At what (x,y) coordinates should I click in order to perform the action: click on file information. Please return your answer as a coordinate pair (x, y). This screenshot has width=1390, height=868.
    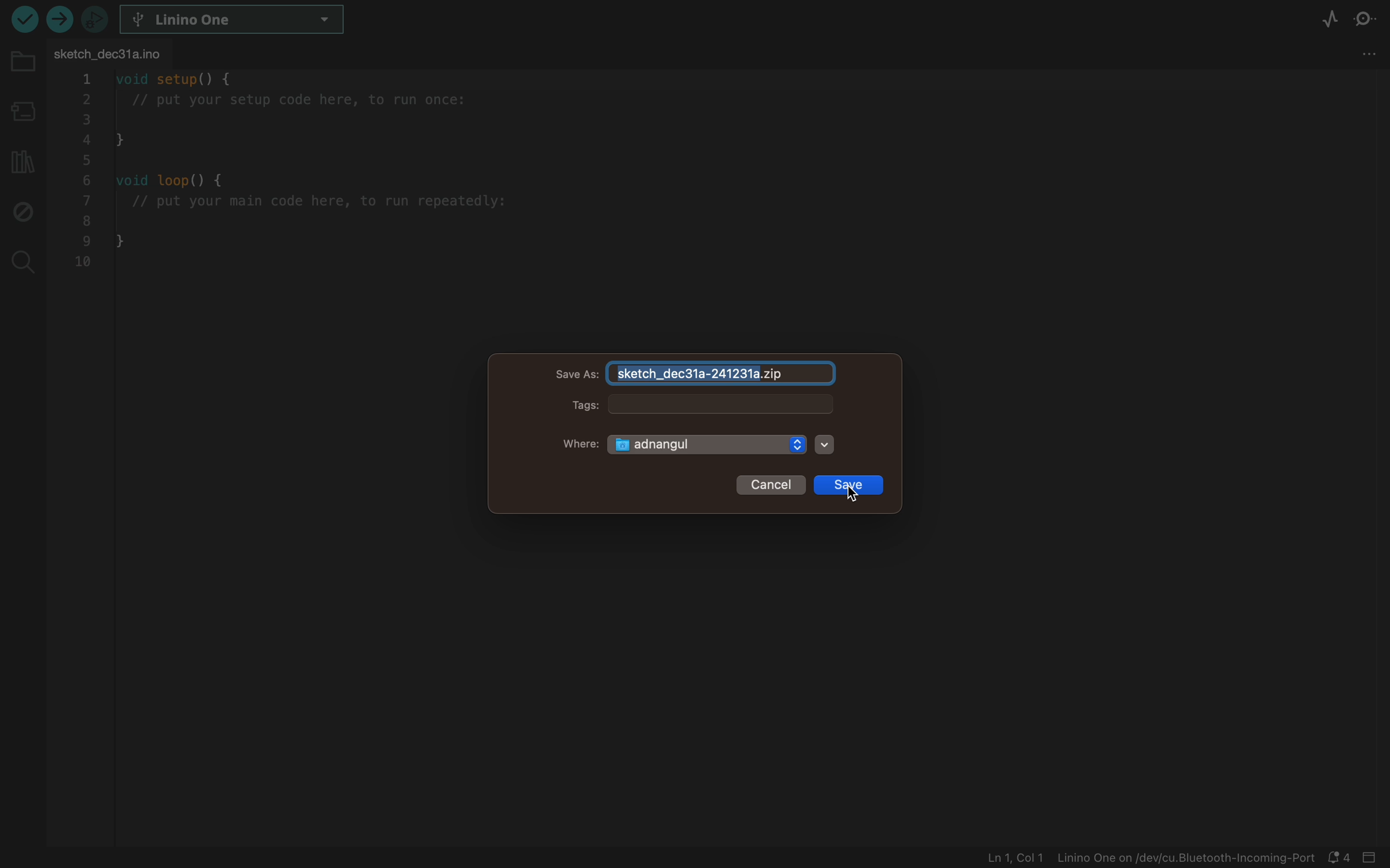
    Looking at the image, I should click on (1147, 859).